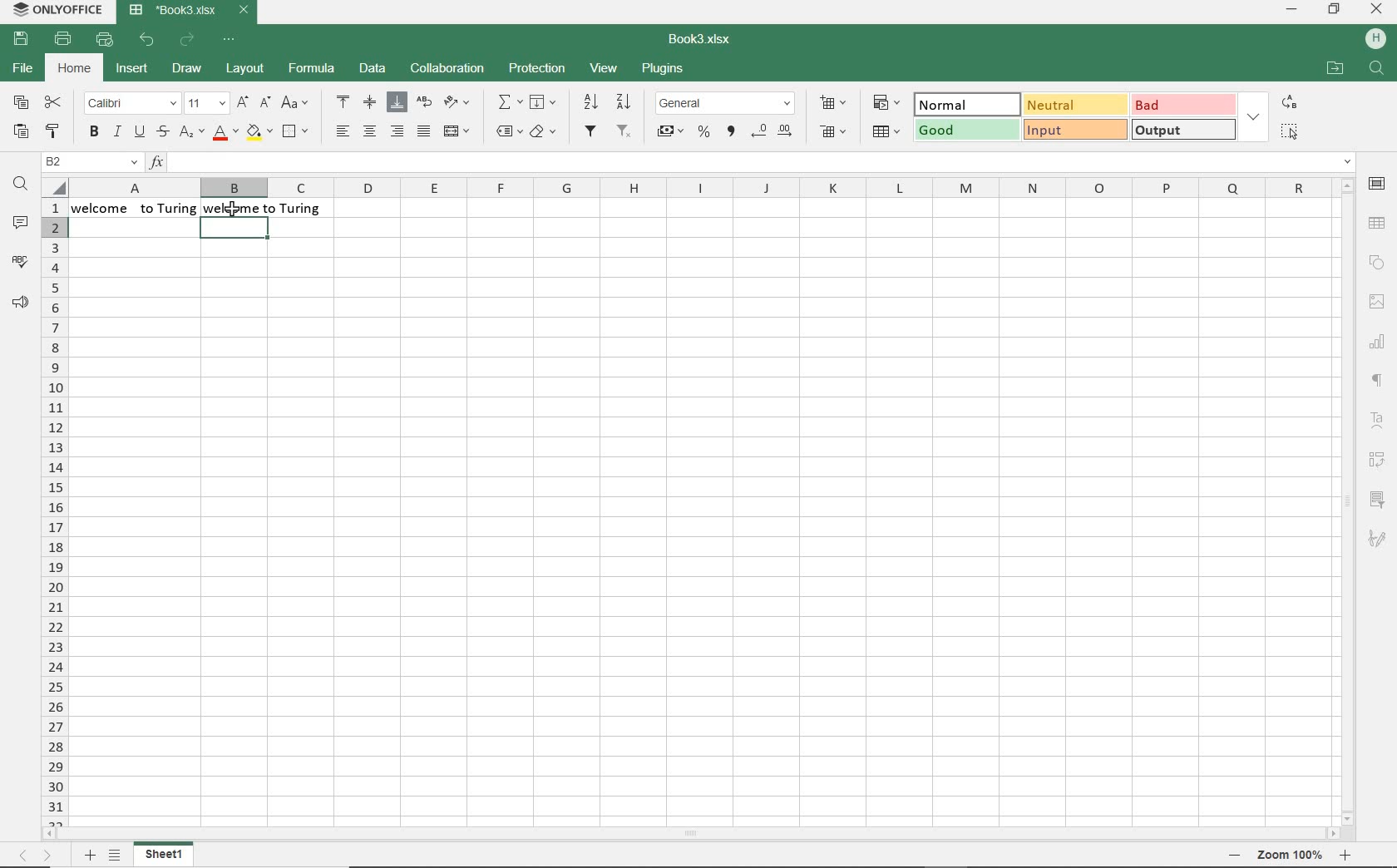  I want to click on protection, so click(537, 67).